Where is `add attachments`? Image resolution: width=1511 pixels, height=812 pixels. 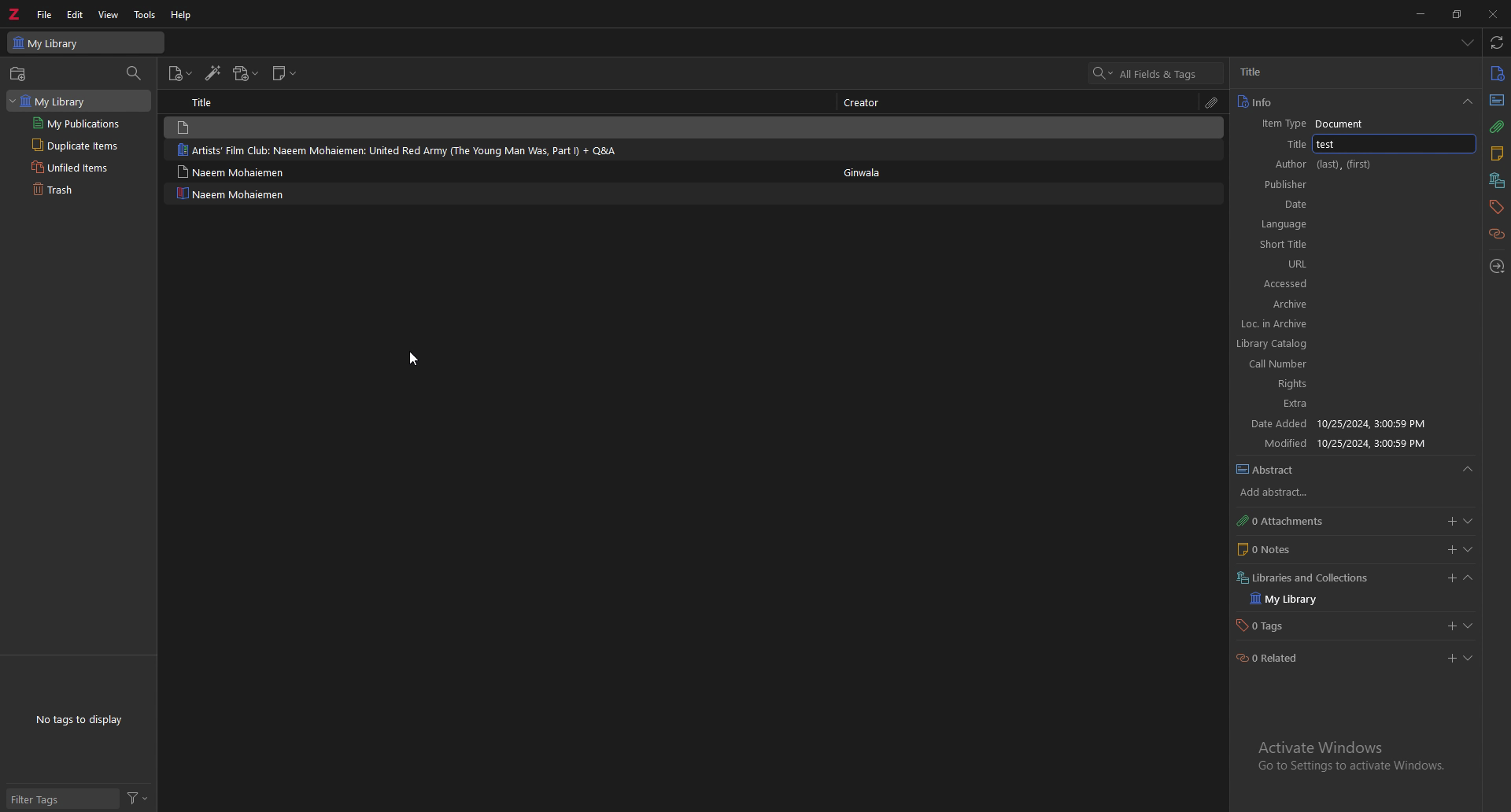
add attachments is located at coordinates (1450, 522).